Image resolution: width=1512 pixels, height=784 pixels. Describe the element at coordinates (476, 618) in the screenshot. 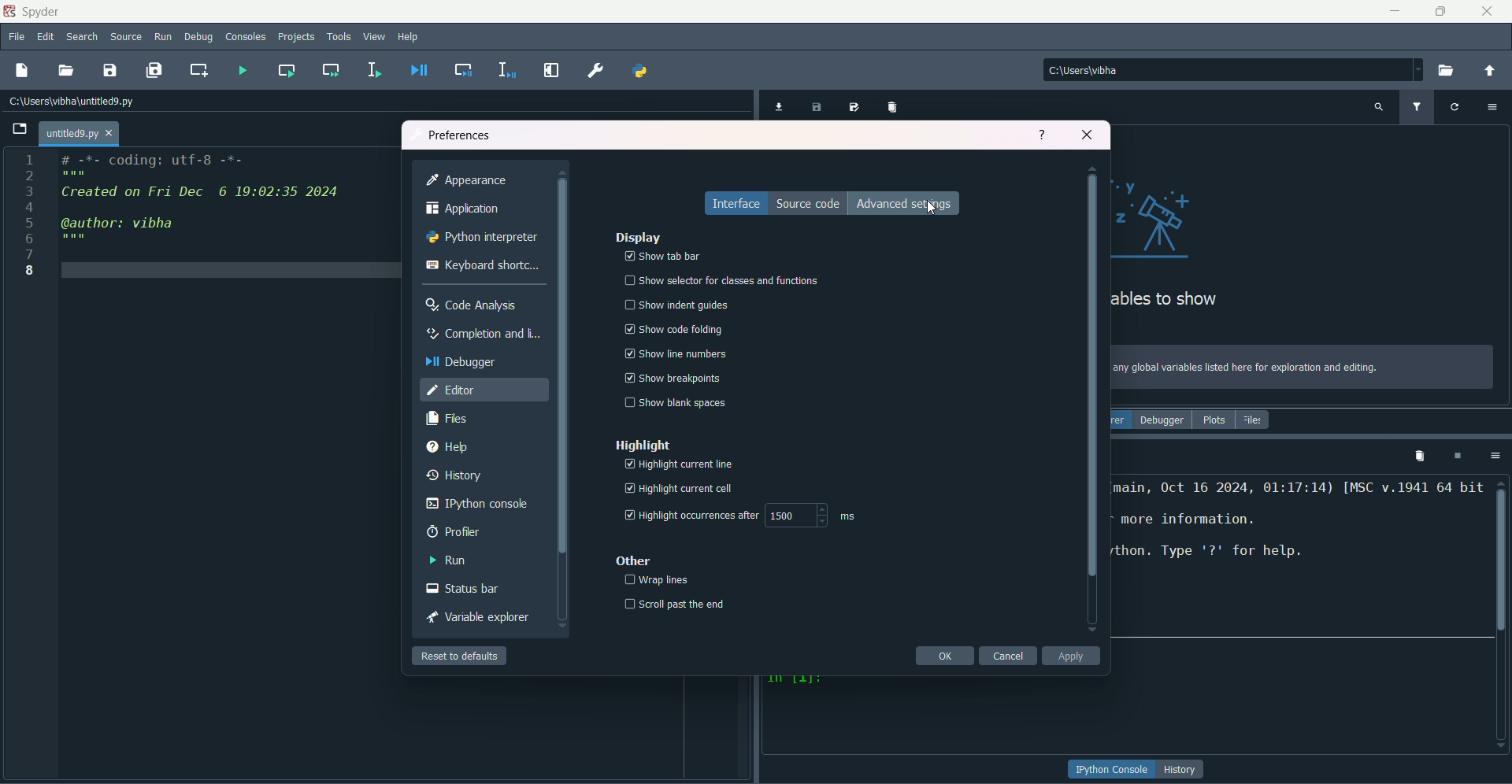

I see `variable explorer` at that location.